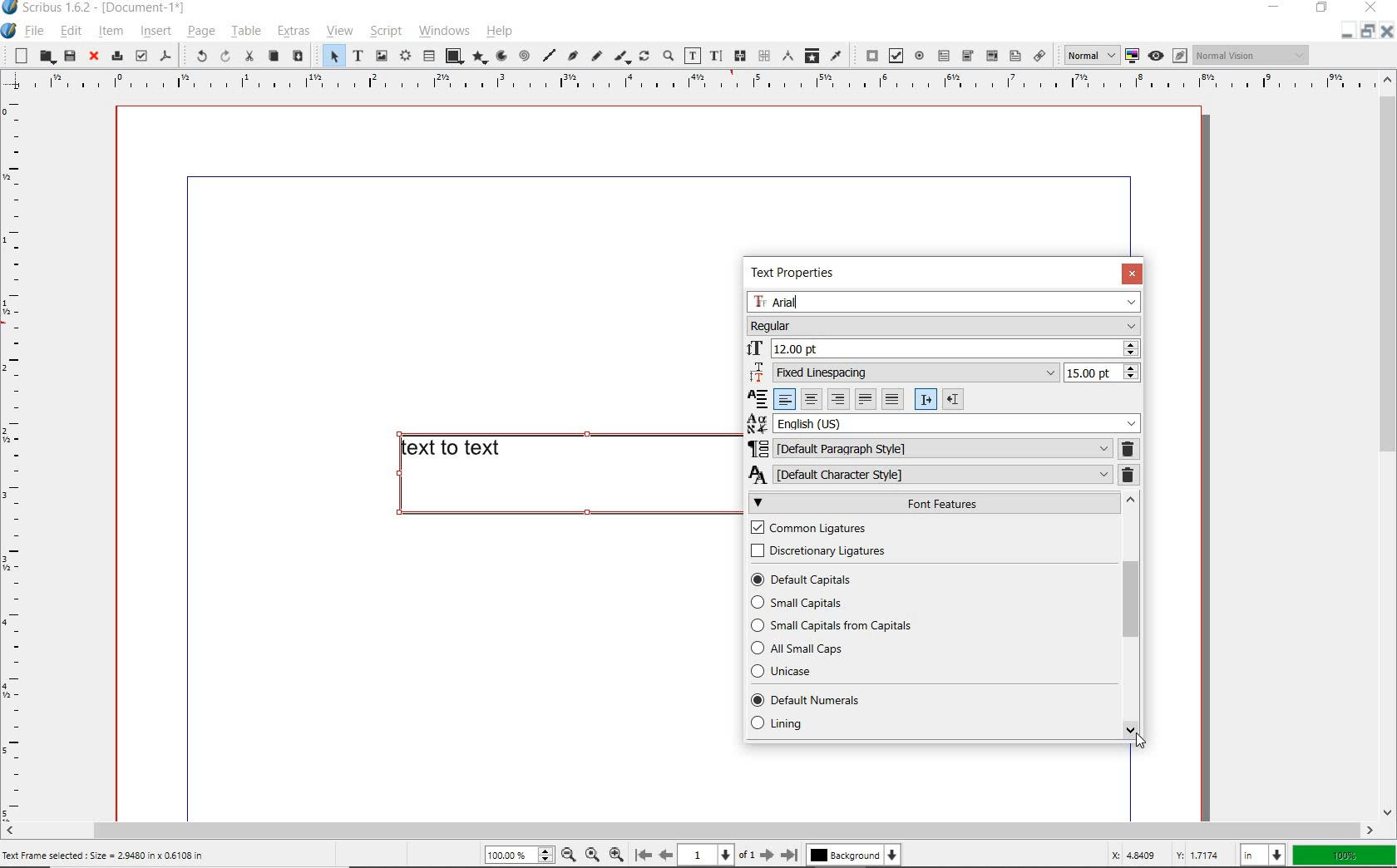  I want to click on freehand line, so click(595, 57).